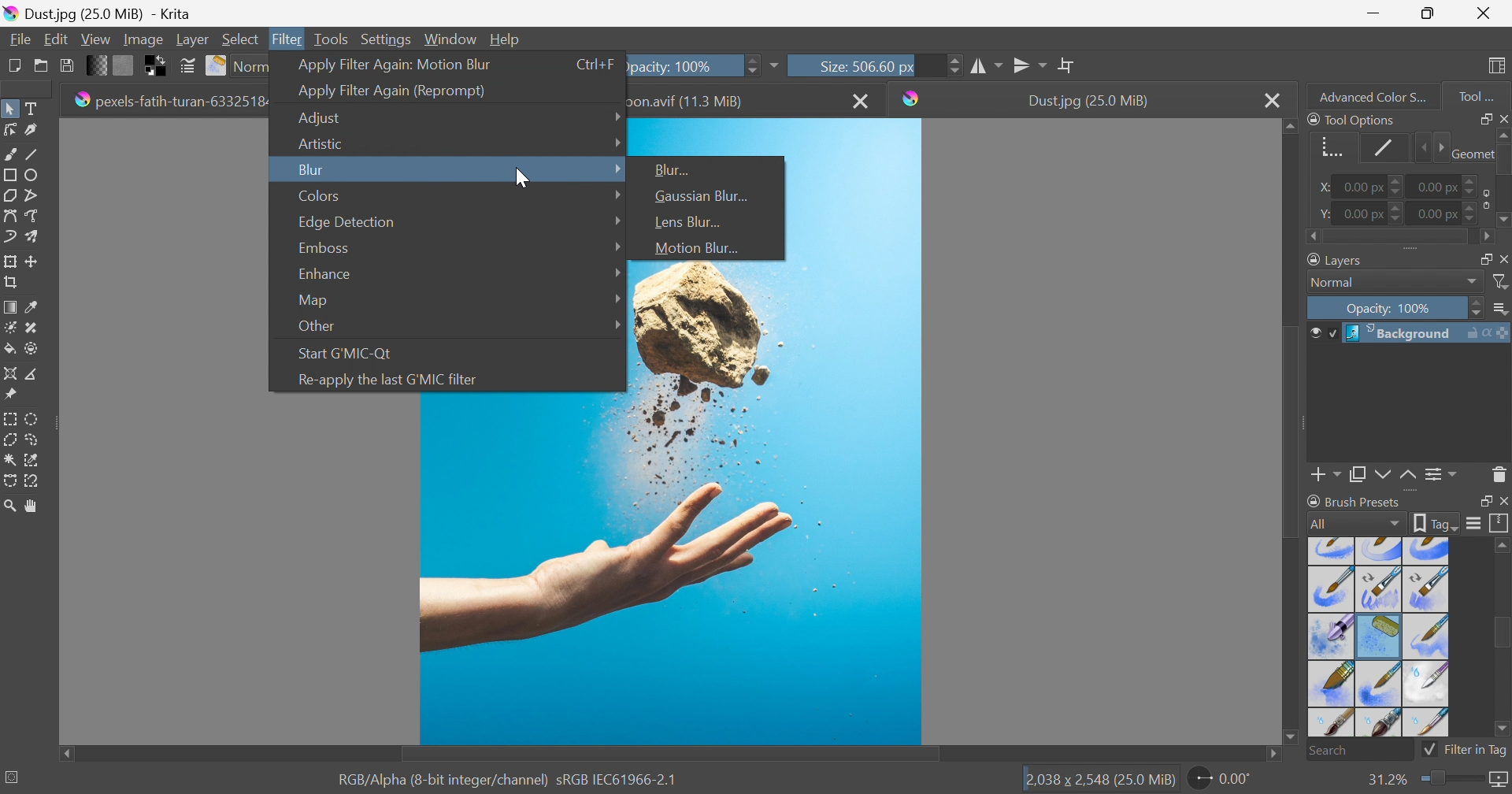 The width and height of the screenshot is (1512, 794). Describe the element at coordinates (1498, 781) in the screenshot. I see `Map the displayed canvas size between pixel size or print size` at that location.